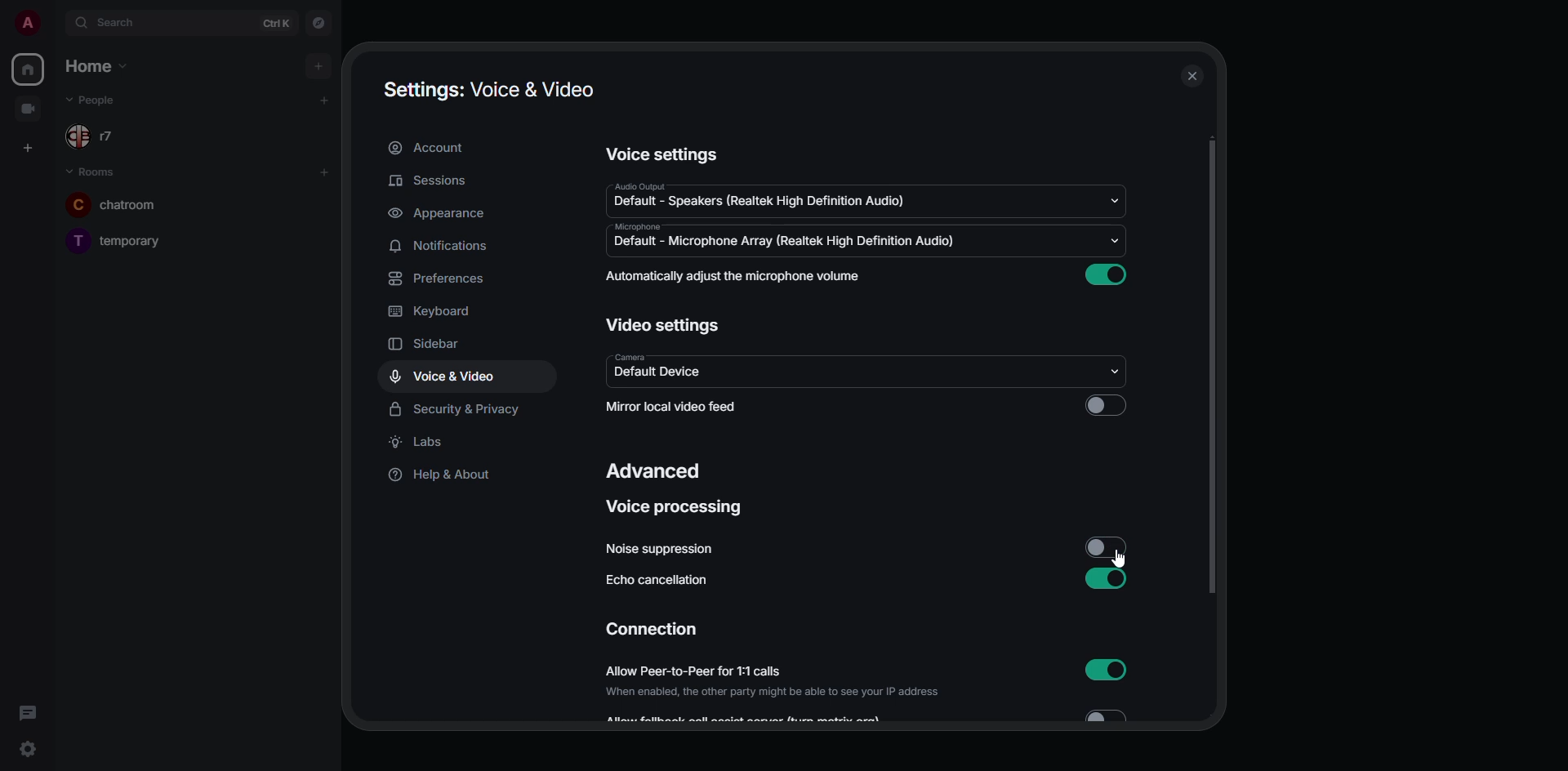 The image size is (1568, 771). I want to click on ctrl K, so click(276, 23).